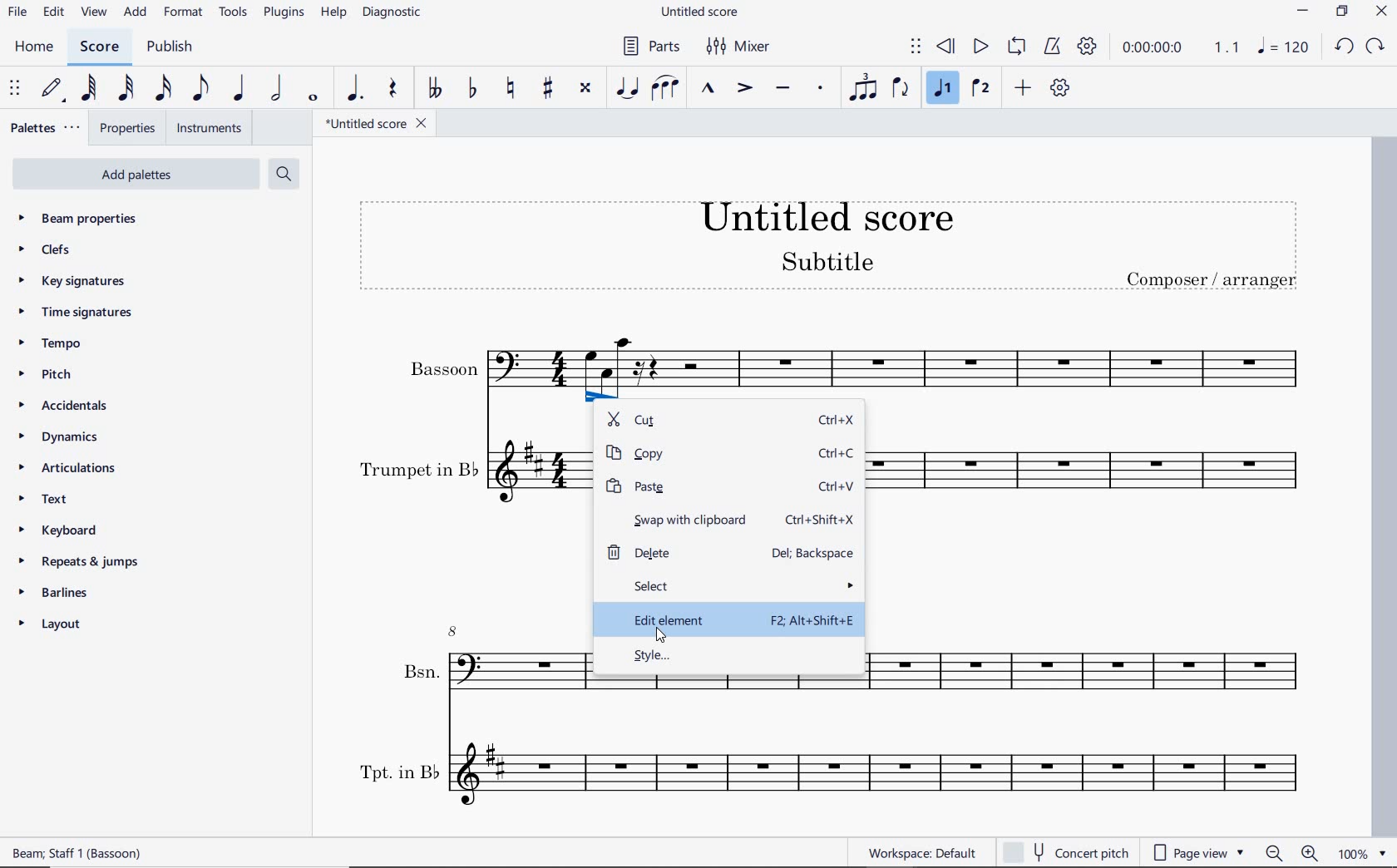  I want to click on 32nd note, so click(126, 87).